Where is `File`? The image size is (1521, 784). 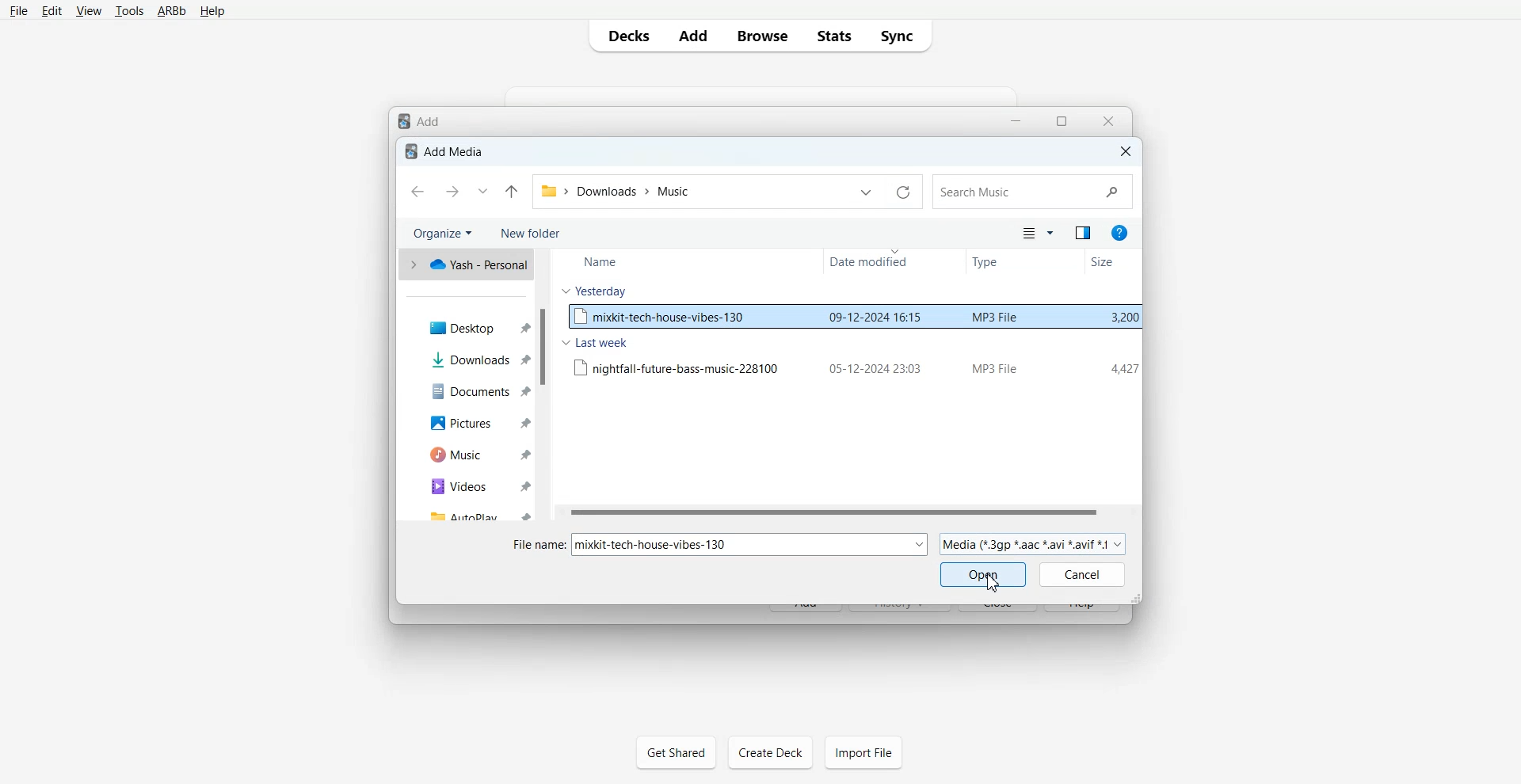
File is located at coordinates (853, 367).